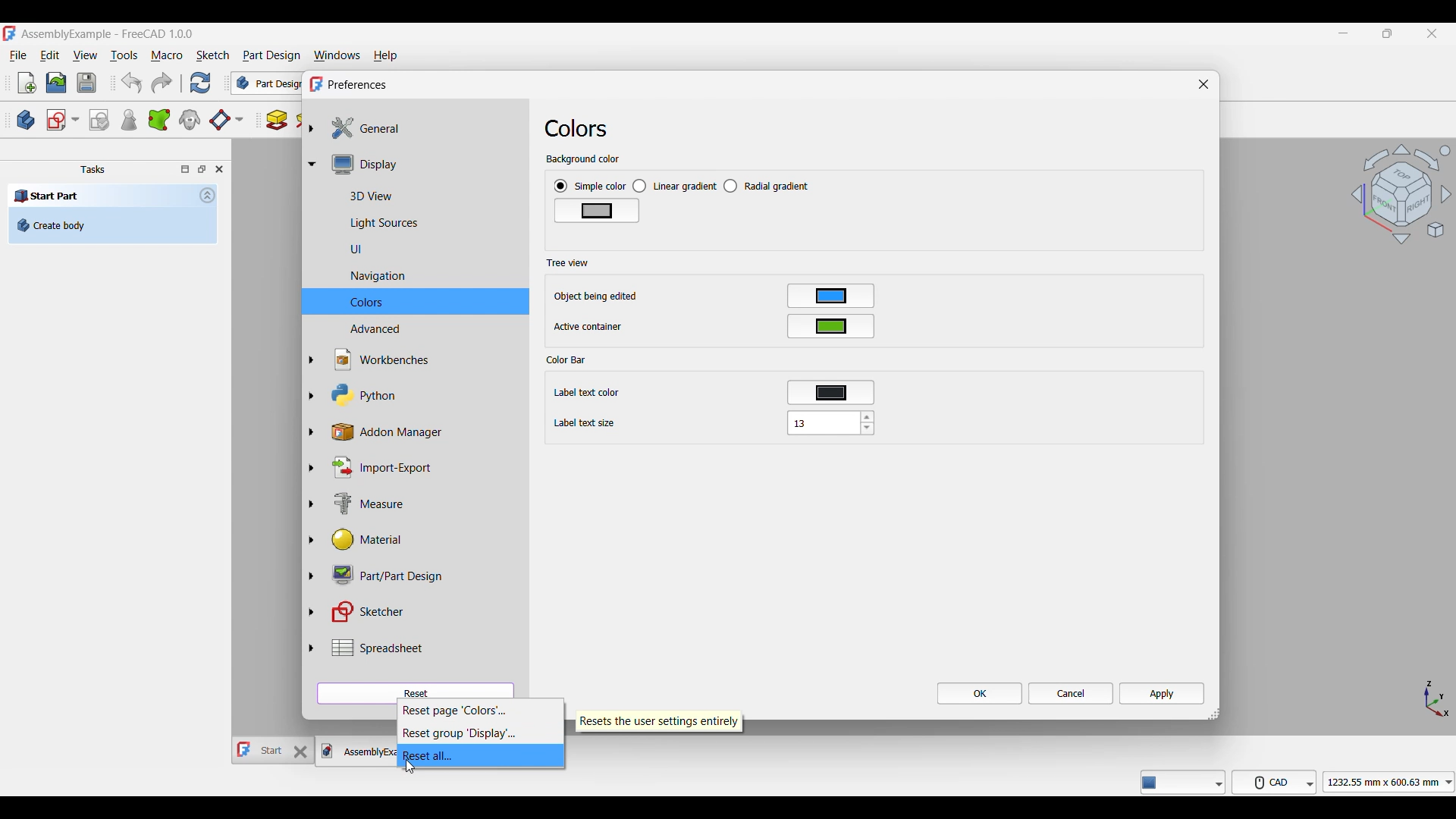 Image resolution: width=1456 pixels, height=819 pixels. I want to click on Close, so click(218, 169).